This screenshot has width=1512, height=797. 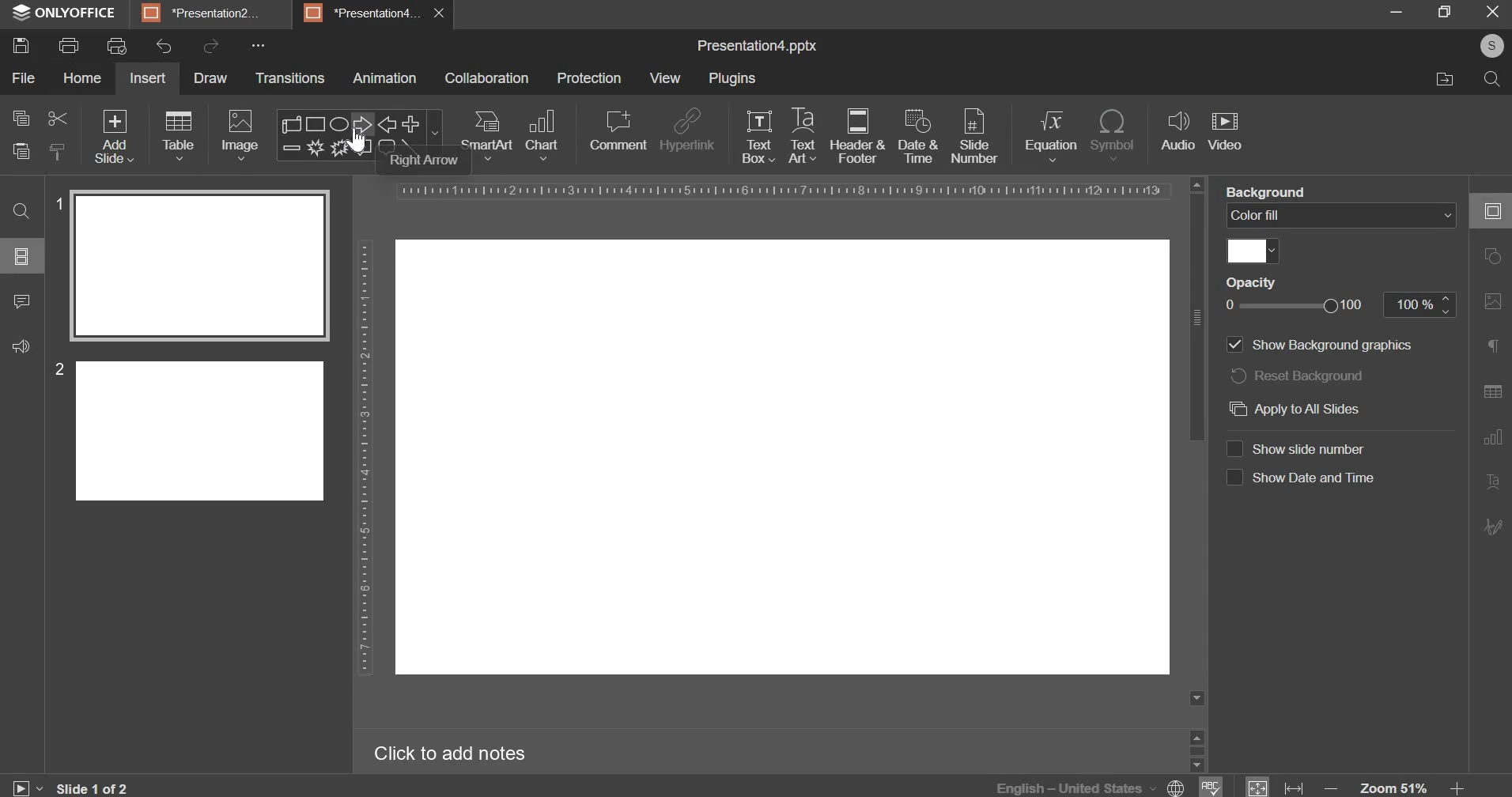 I want to click on draw, so click(x=210, y=77).